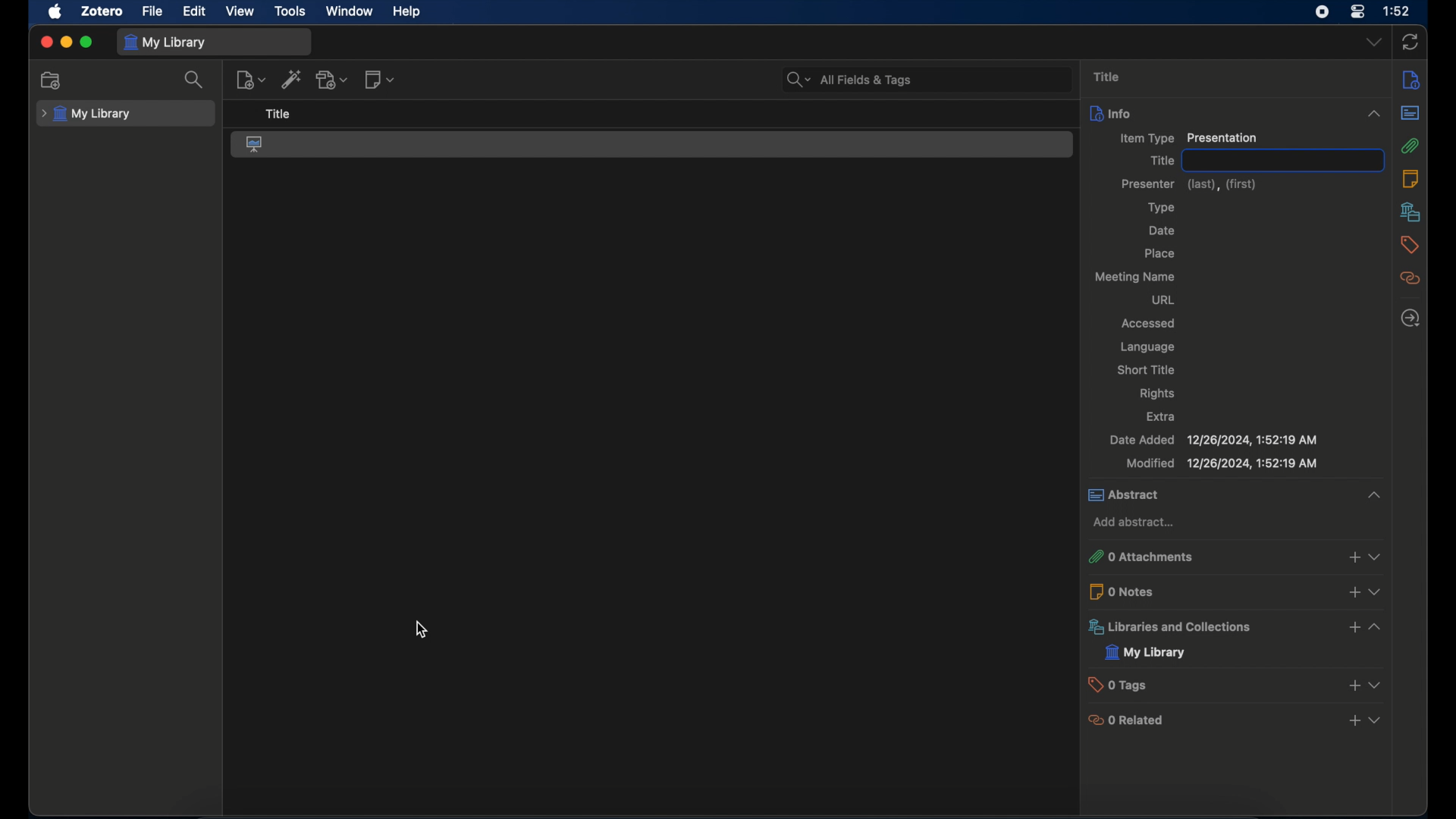  I want to click on my library, so click(167, 42).